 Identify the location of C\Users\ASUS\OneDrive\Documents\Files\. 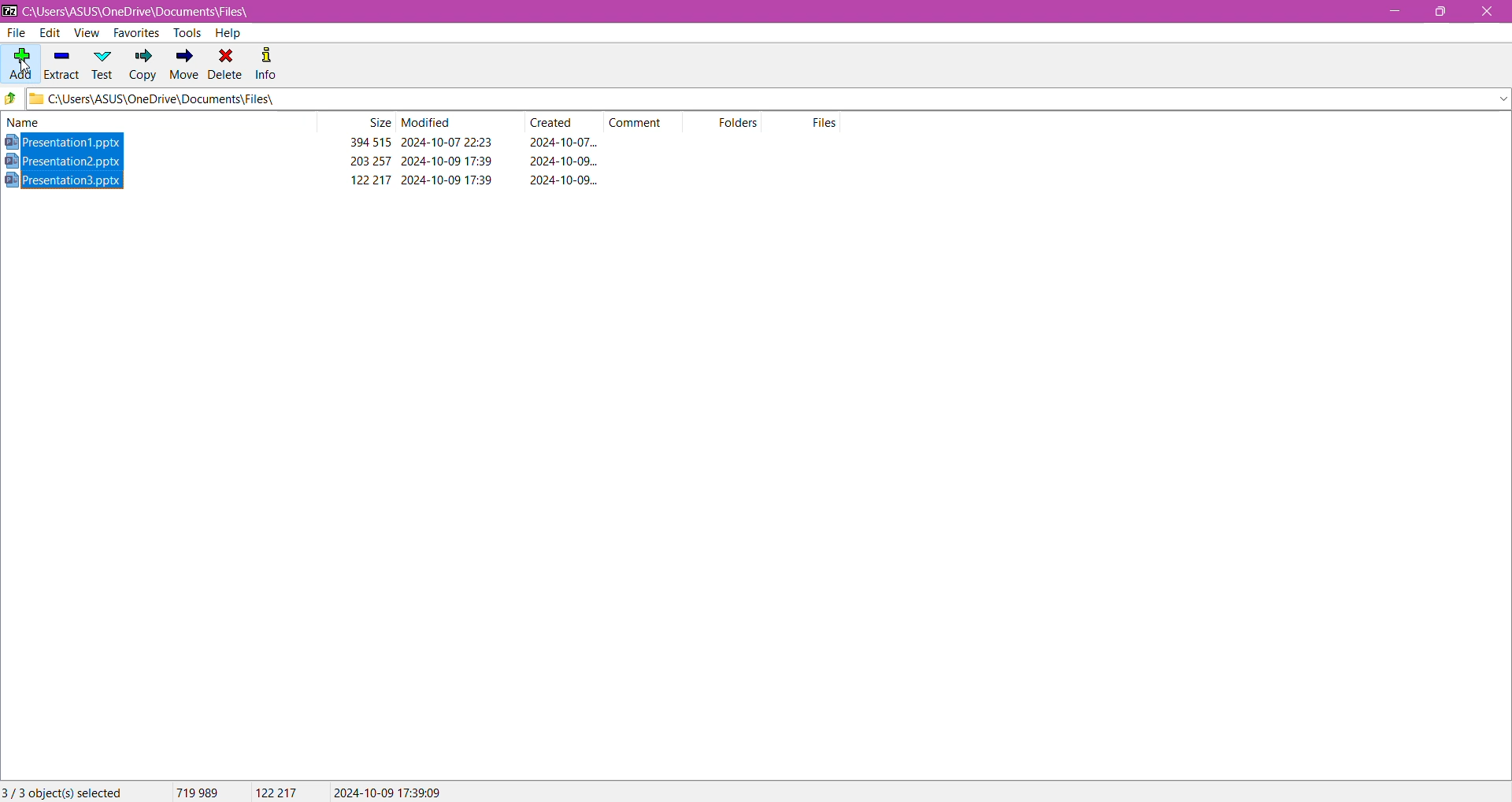
(180, 100).